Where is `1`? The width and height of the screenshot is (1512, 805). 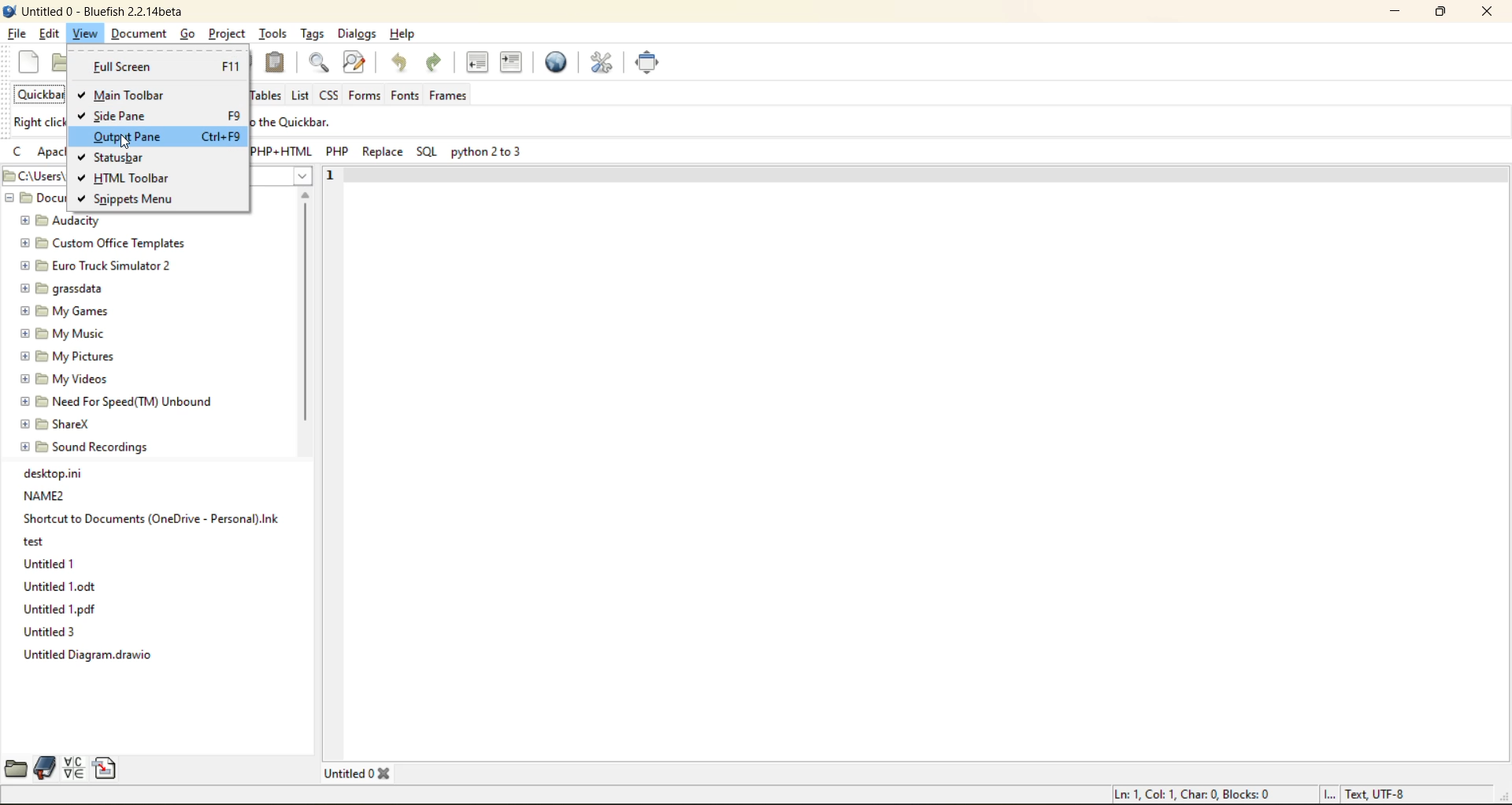
1 is located at coordinates (327, 176).